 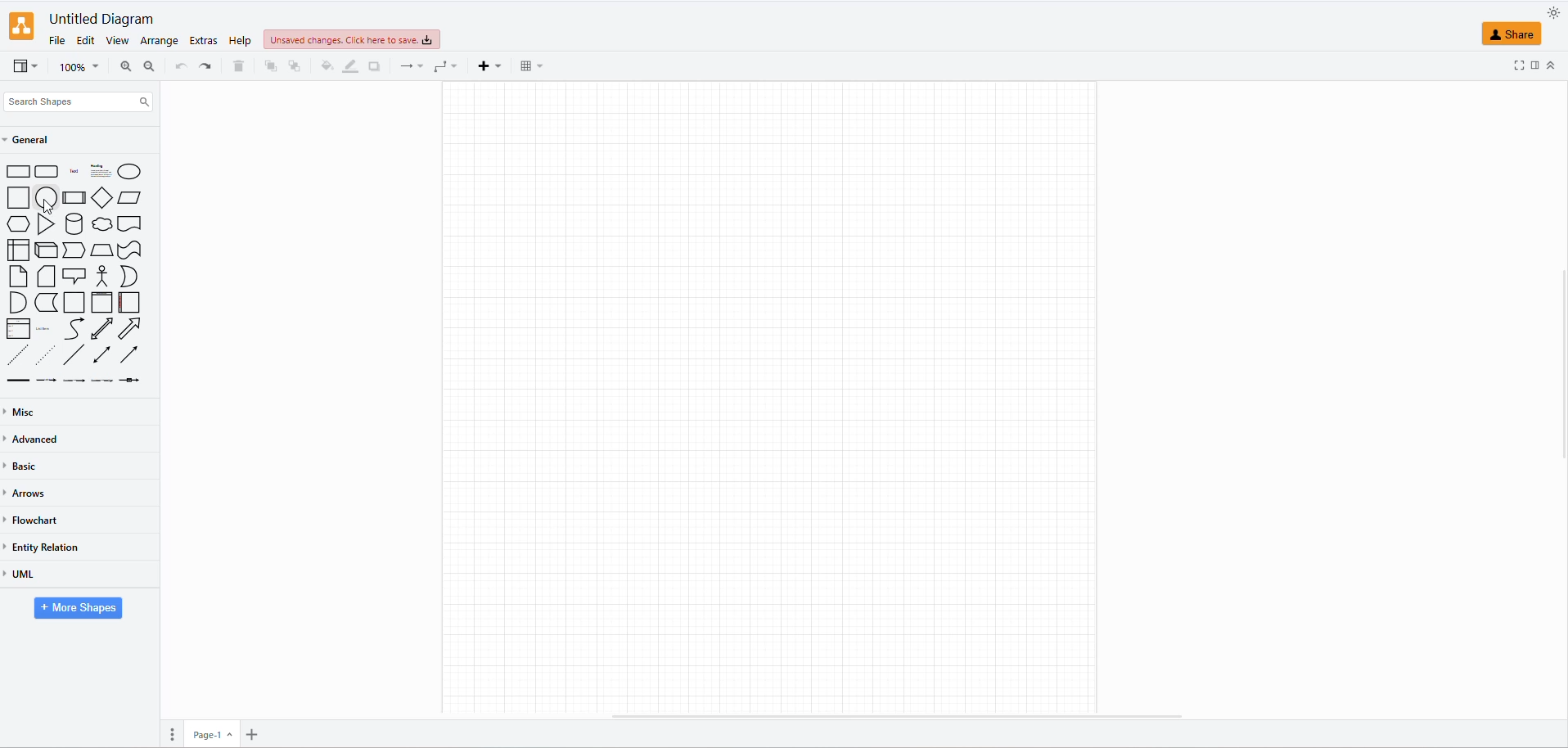 I want to click on TAPE, so click(x=131, y=250).